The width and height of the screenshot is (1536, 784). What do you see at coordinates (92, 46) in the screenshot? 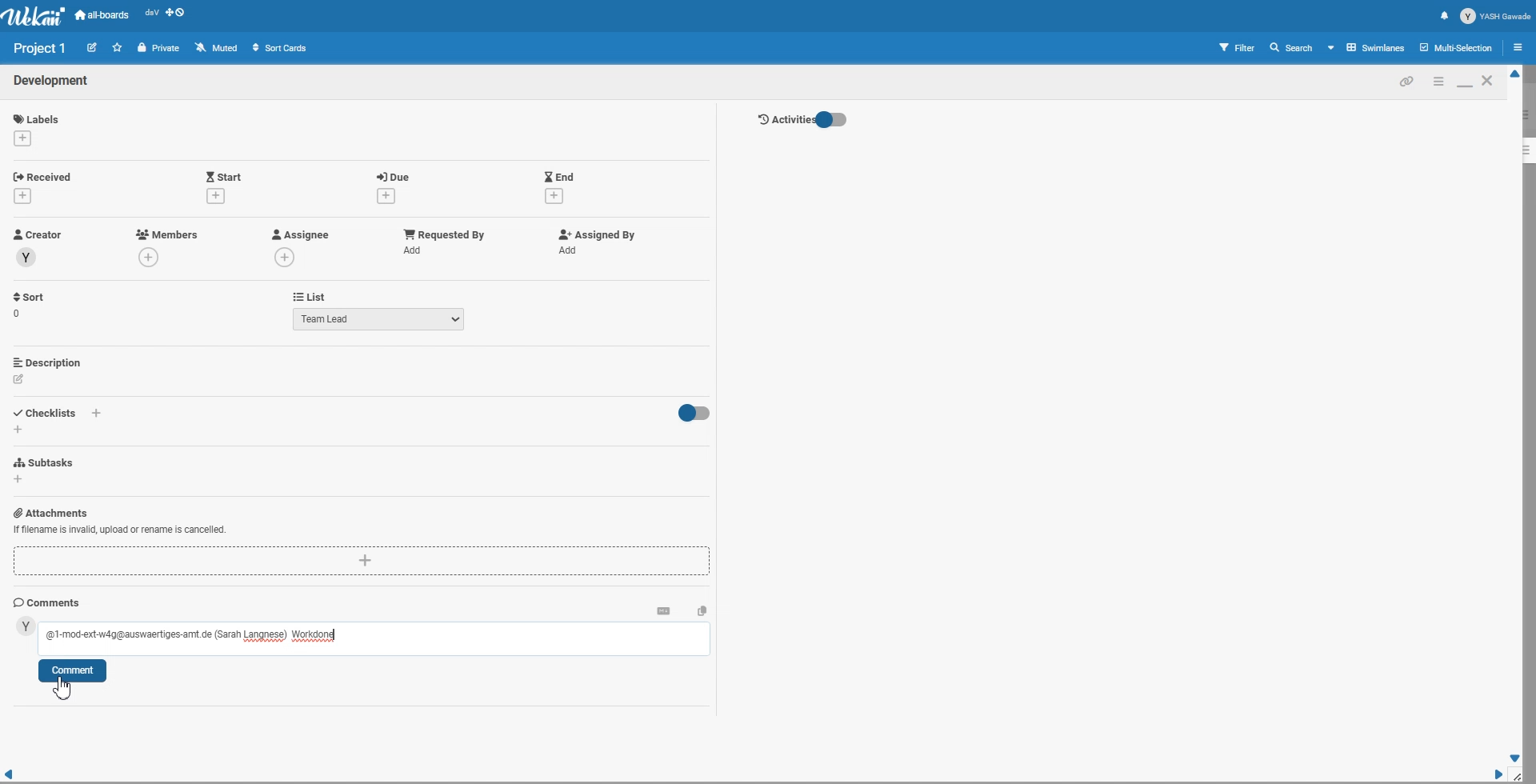
I see `Edit` at bounding box center [92, 46].